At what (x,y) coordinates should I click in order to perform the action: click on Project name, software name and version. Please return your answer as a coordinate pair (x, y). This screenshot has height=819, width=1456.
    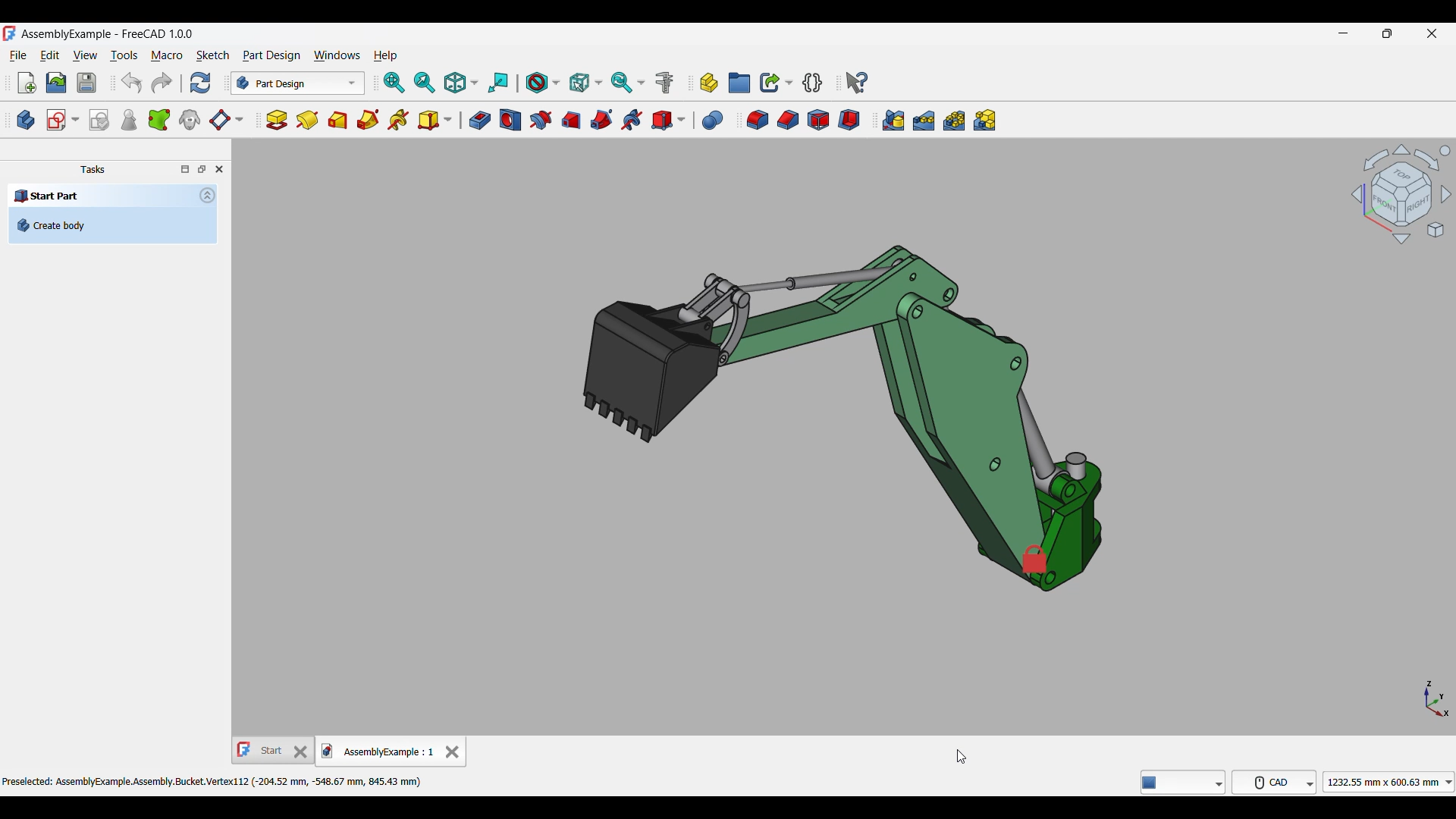
    Looking at the image, I should click on (108, 34).